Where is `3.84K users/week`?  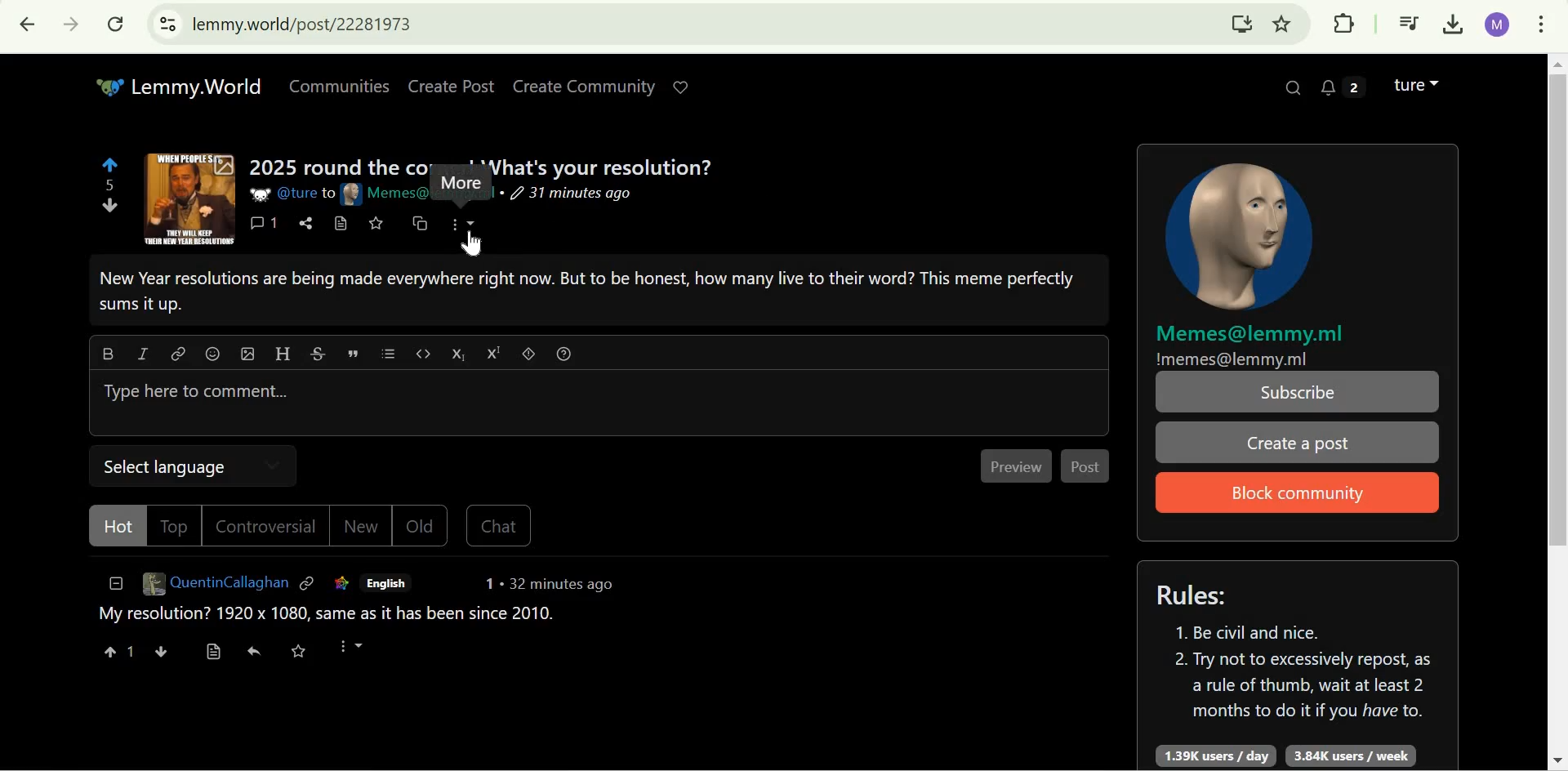
3.84K users/week is located at coordinates (1349, 756).